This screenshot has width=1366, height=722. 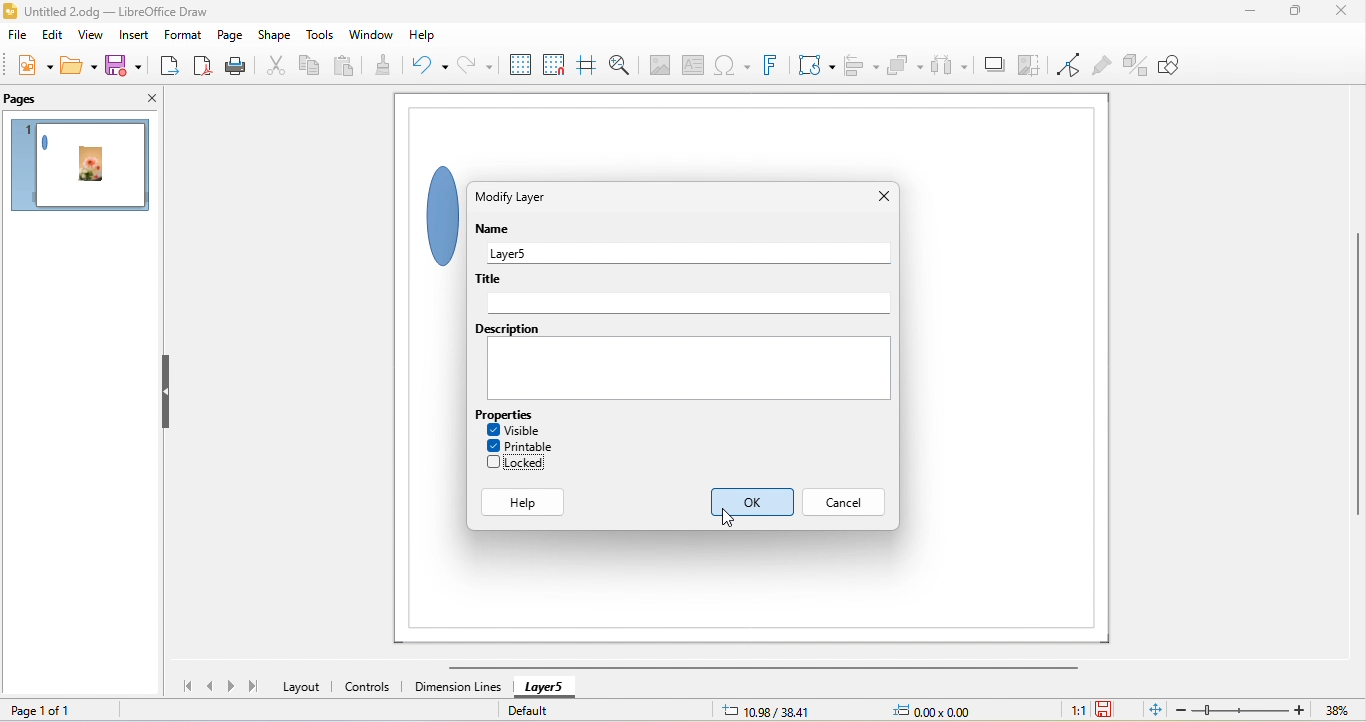 What do you see at coordinates (525, 503) in the screenshot?
I see `help` at bounding box center [525, 503].